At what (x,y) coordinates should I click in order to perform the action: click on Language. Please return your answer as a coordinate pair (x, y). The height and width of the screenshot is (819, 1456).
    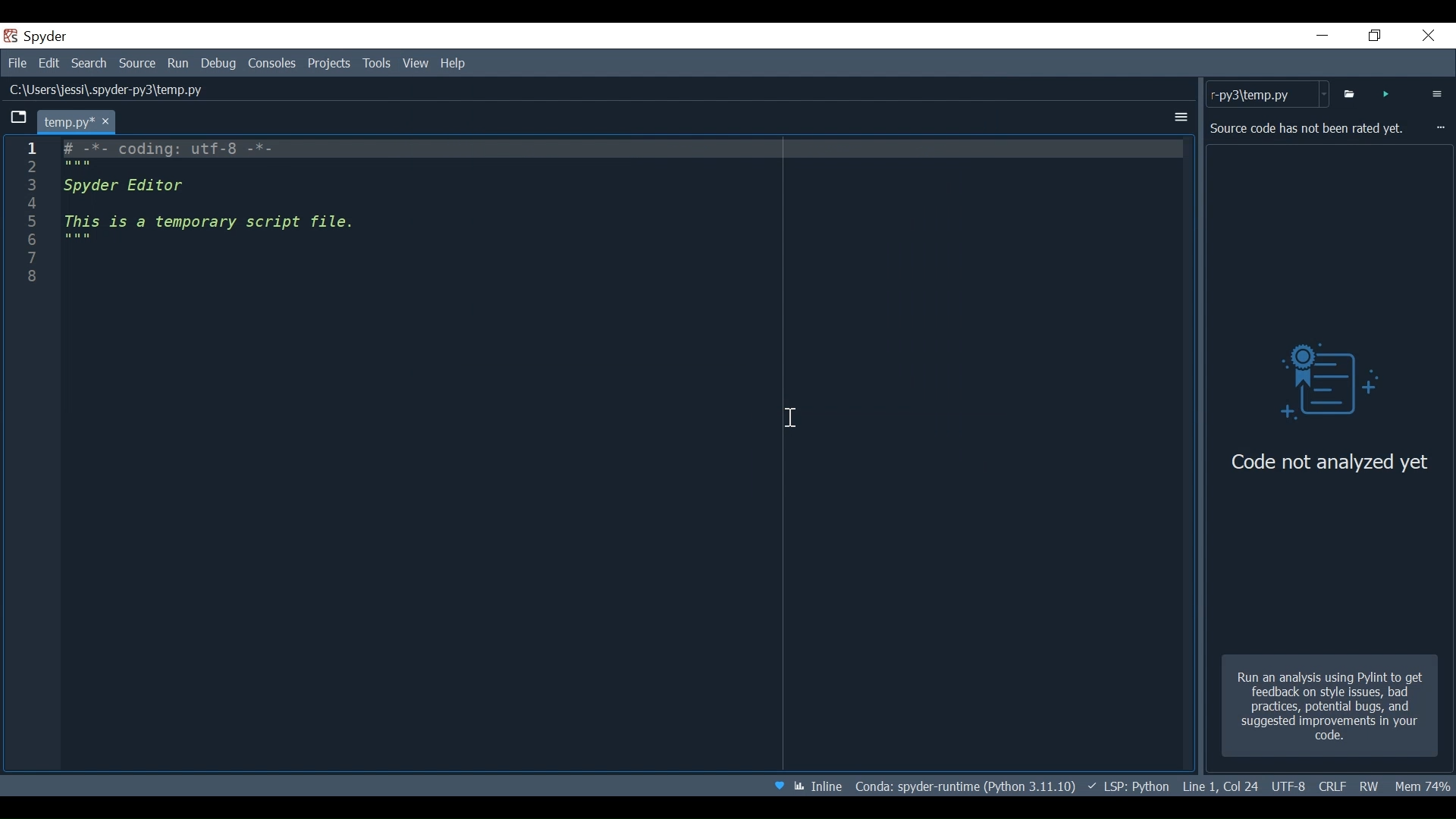
    Looking at the image, I should click on (1128, 786).